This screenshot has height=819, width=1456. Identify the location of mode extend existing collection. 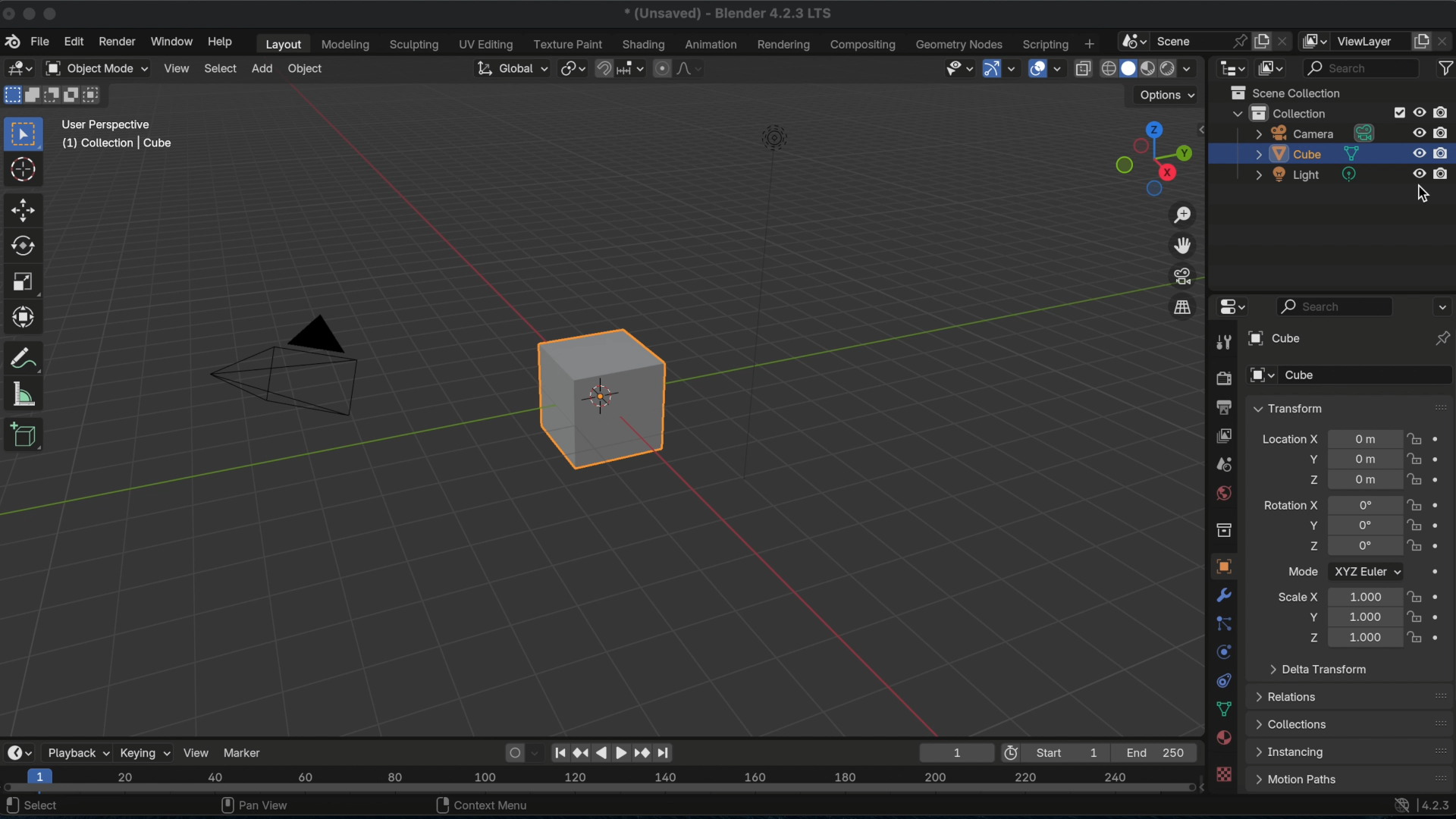
(34, 97).